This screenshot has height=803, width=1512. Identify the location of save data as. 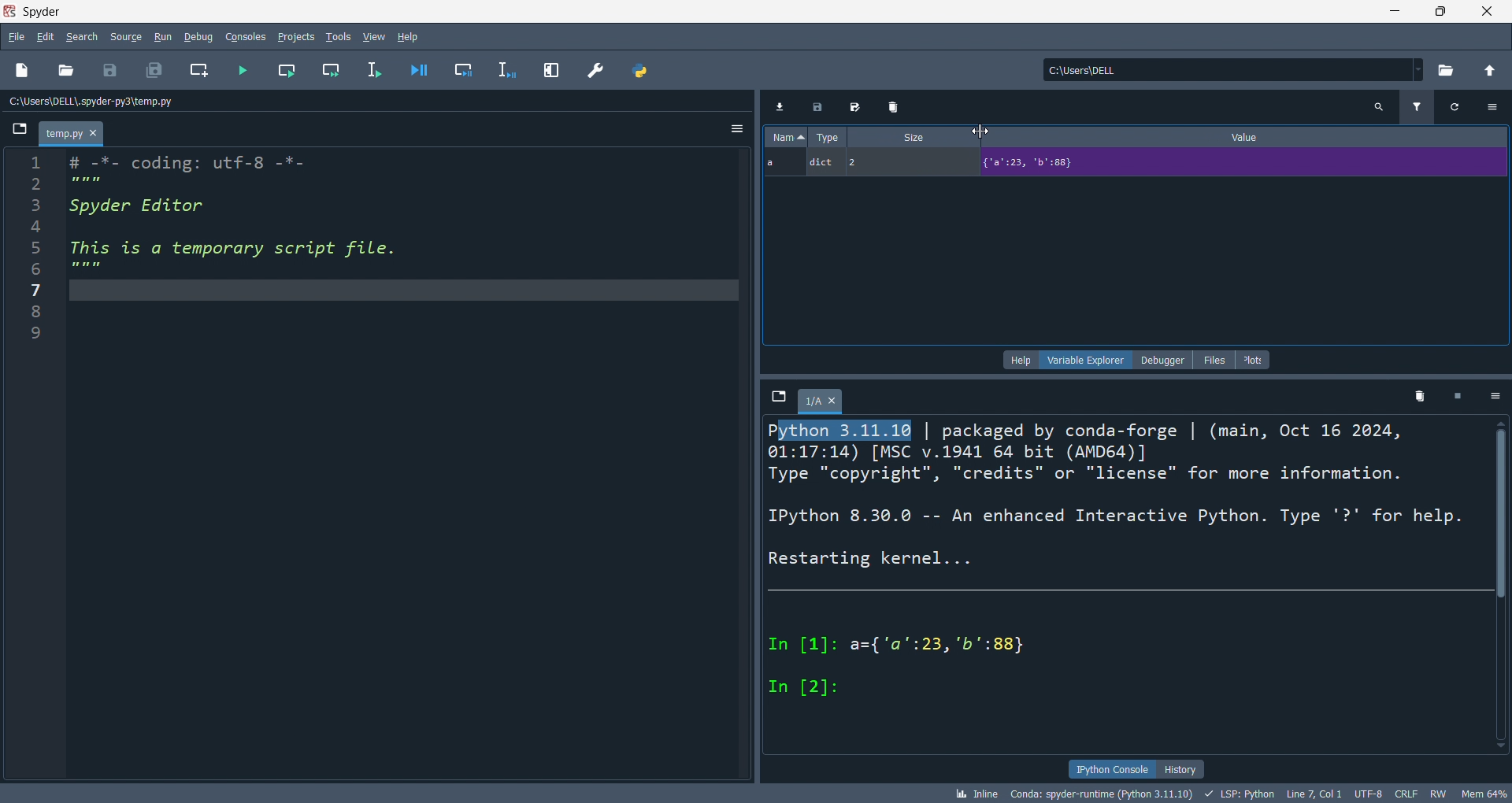
(850, 107).